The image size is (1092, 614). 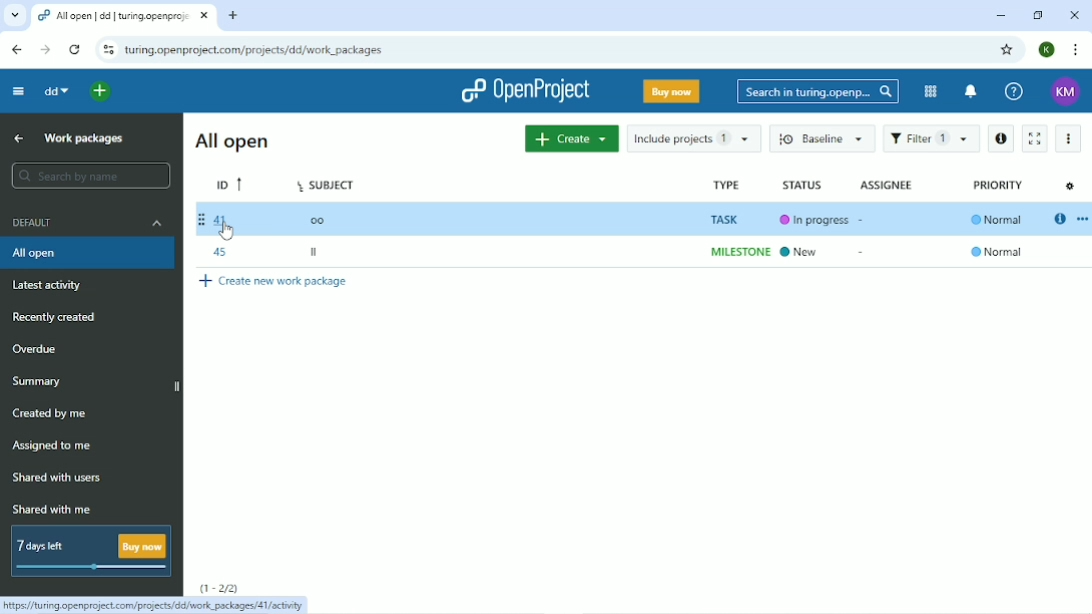 I want to click on Filter, so click(x=931, y=137).